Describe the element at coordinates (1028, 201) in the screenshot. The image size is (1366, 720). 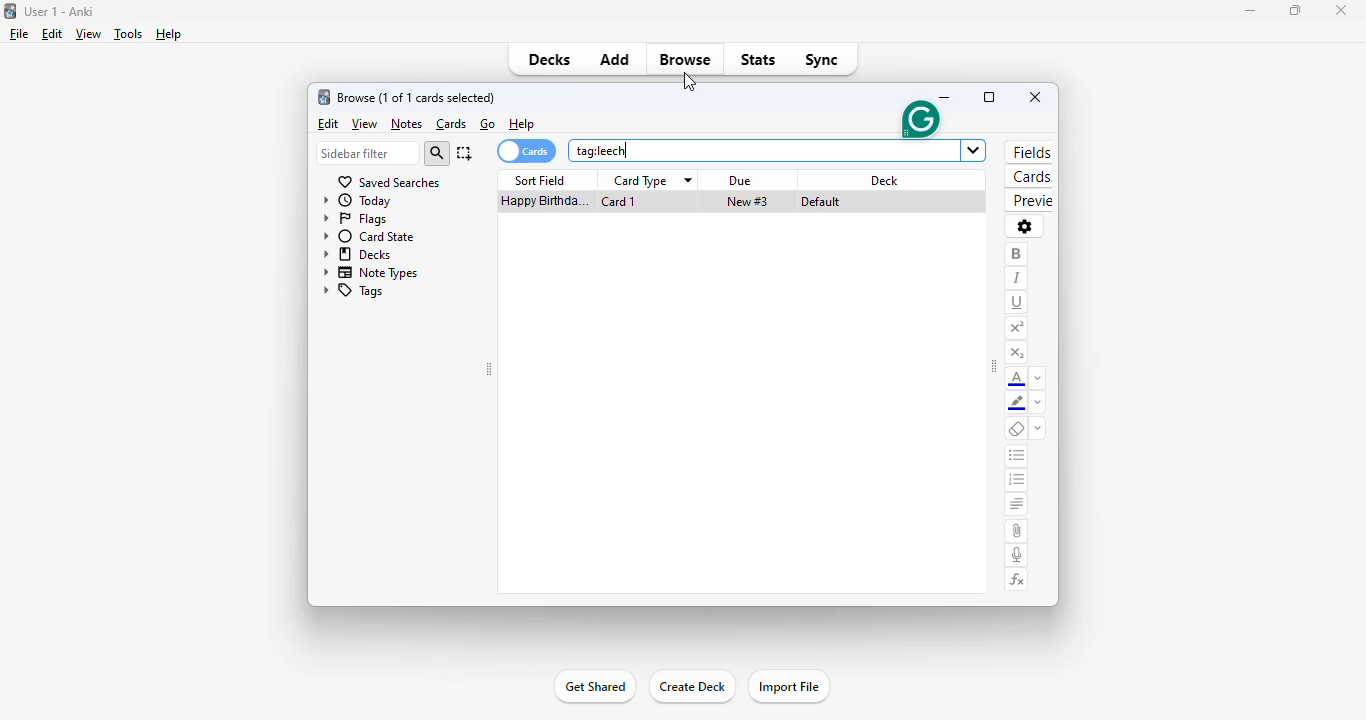
I see `preview` at that location.